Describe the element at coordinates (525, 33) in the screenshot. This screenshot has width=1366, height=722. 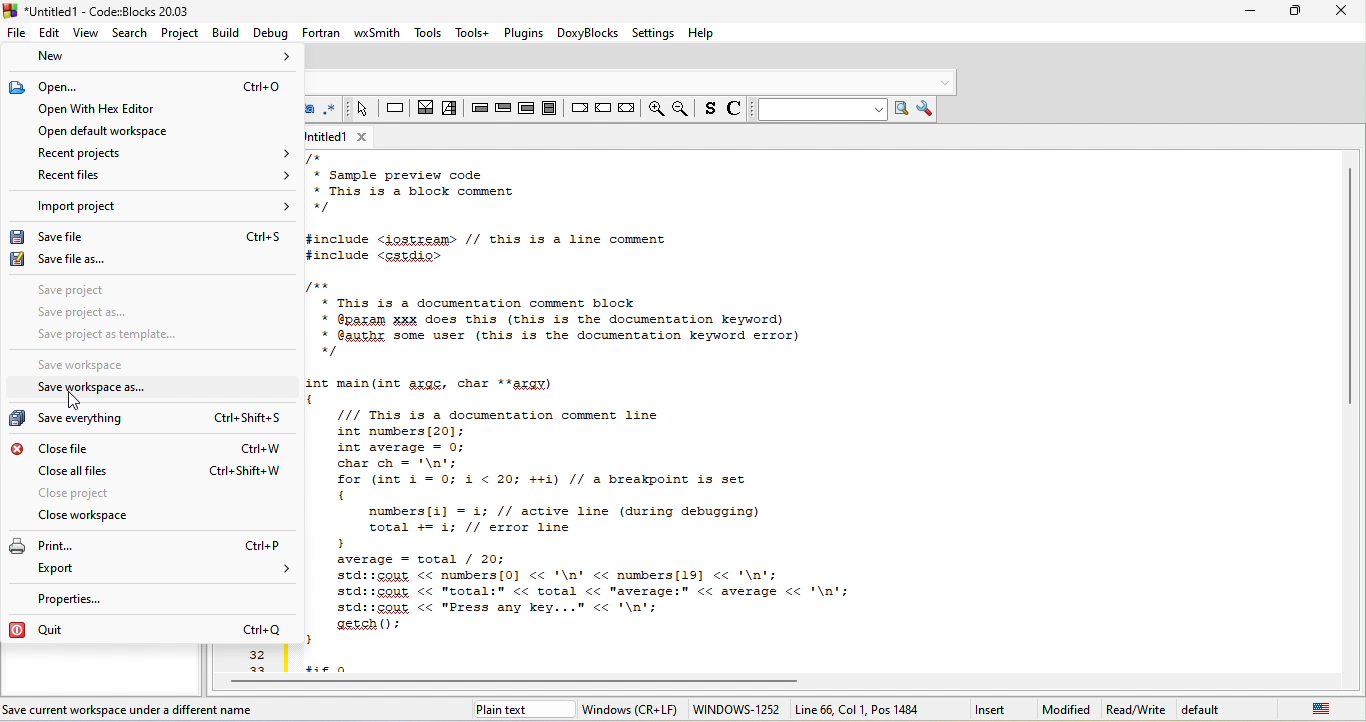
I see `plugins` at that location.